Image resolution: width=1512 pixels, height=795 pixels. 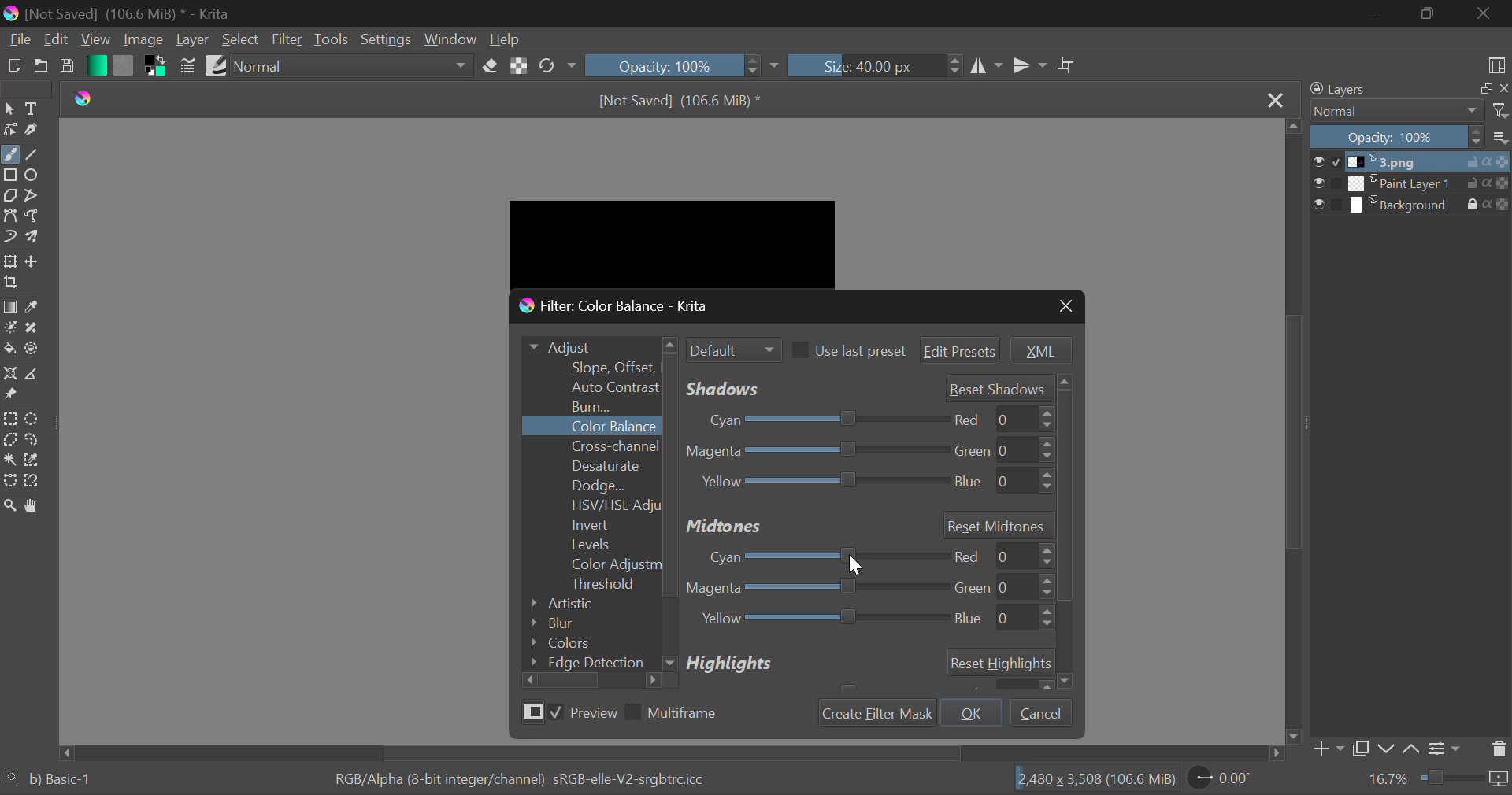 I want to click on Bezier Curve, so click(x=13, y=217).